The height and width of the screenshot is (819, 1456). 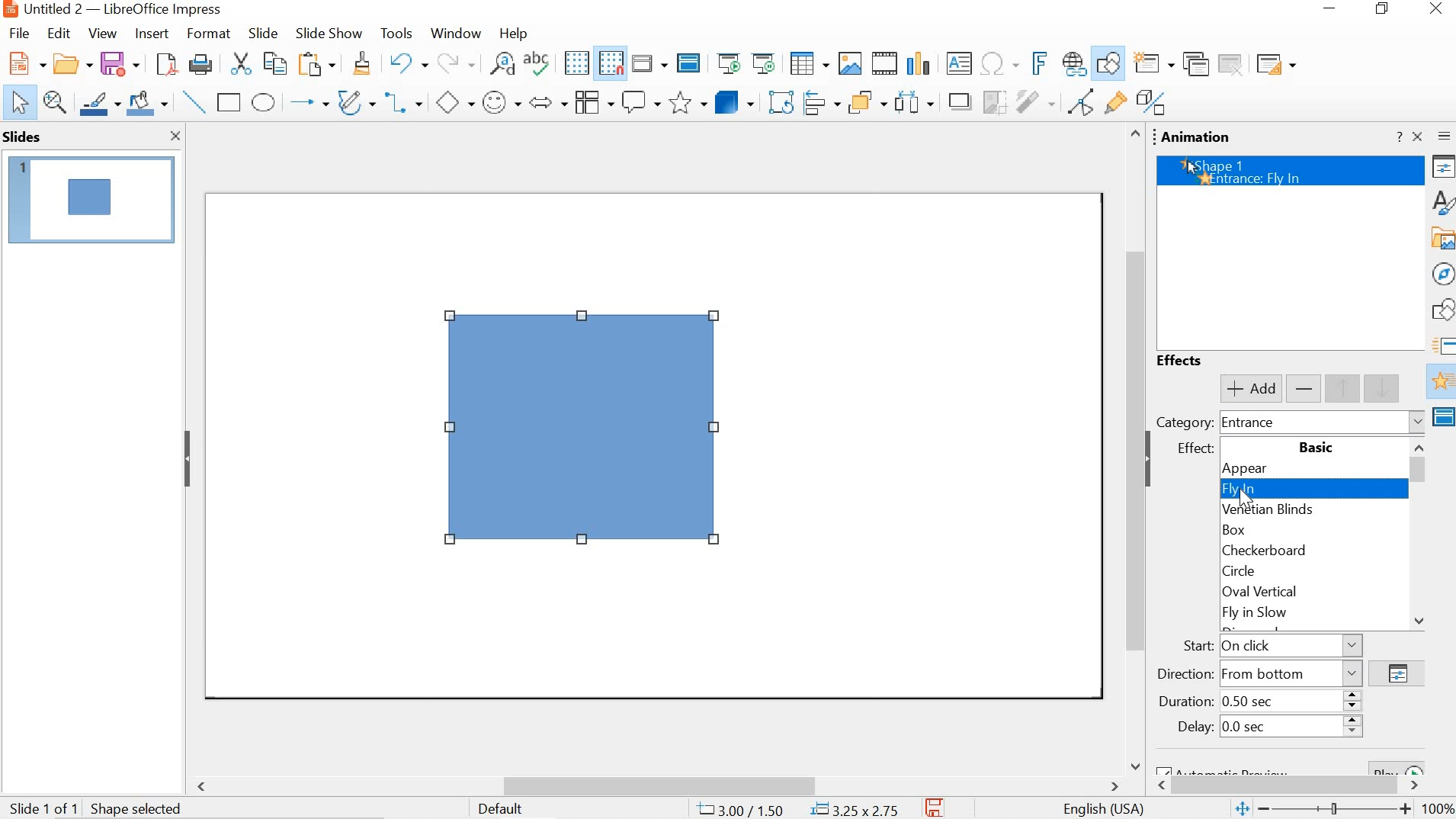 What do you see at coordinates (1442, 201) in the screenshot?
I see `styles` at bounding box center [1442, 201].